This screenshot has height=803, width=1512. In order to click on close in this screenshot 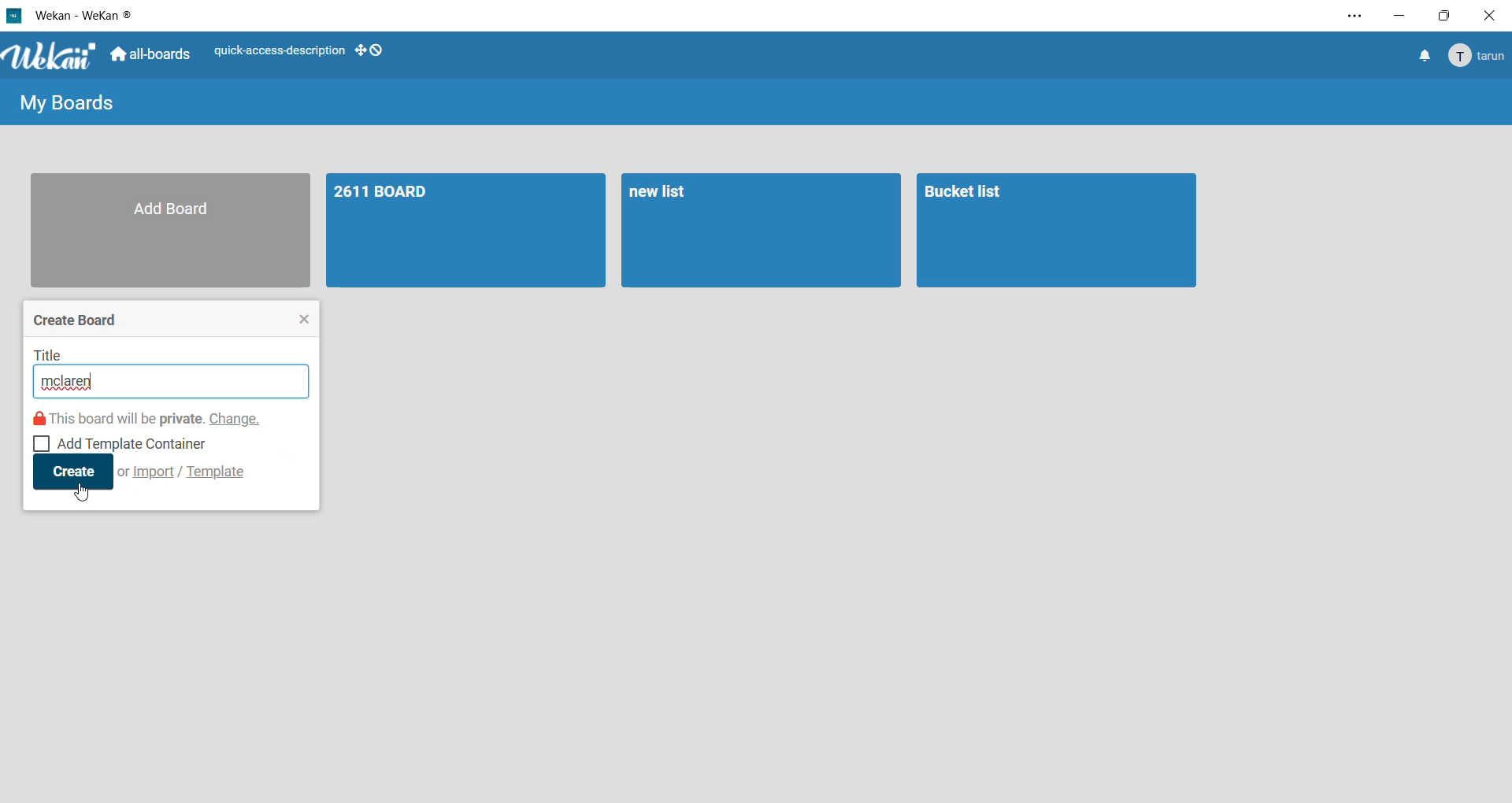, I will do `click(1490, 16)`.